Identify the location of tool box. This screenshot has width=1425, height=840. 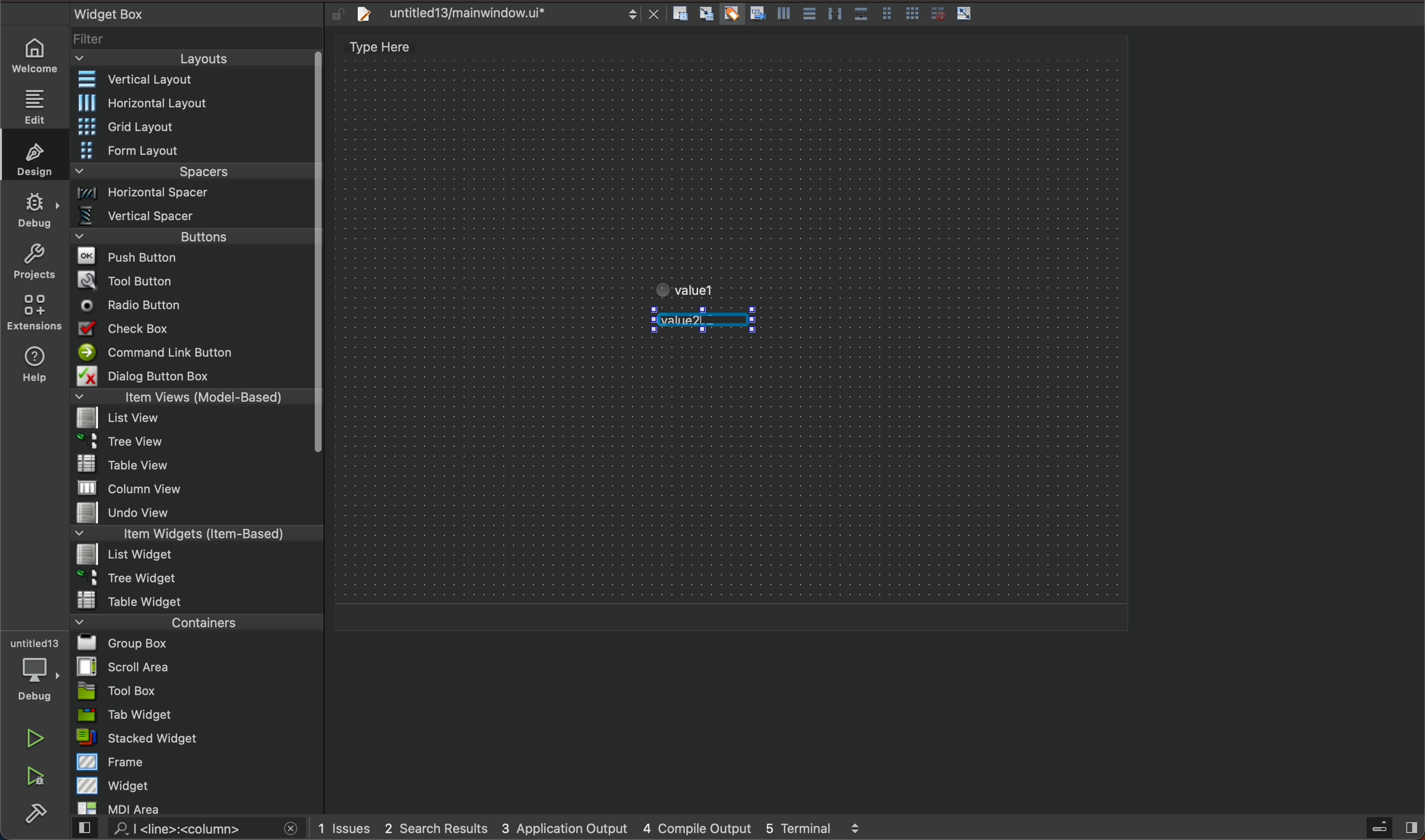
(197, 691).